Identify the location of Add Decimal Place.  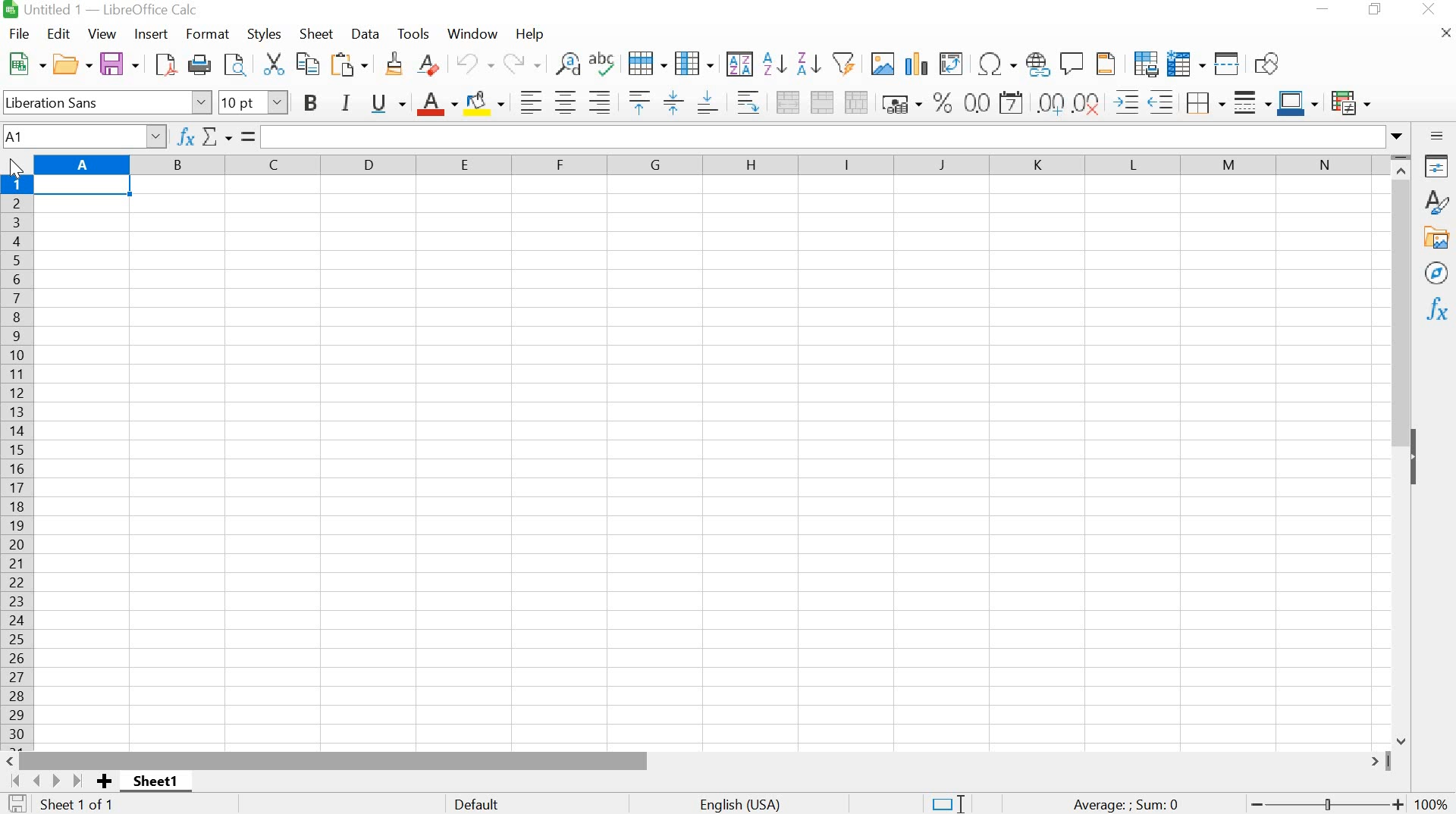
(1052, 102).